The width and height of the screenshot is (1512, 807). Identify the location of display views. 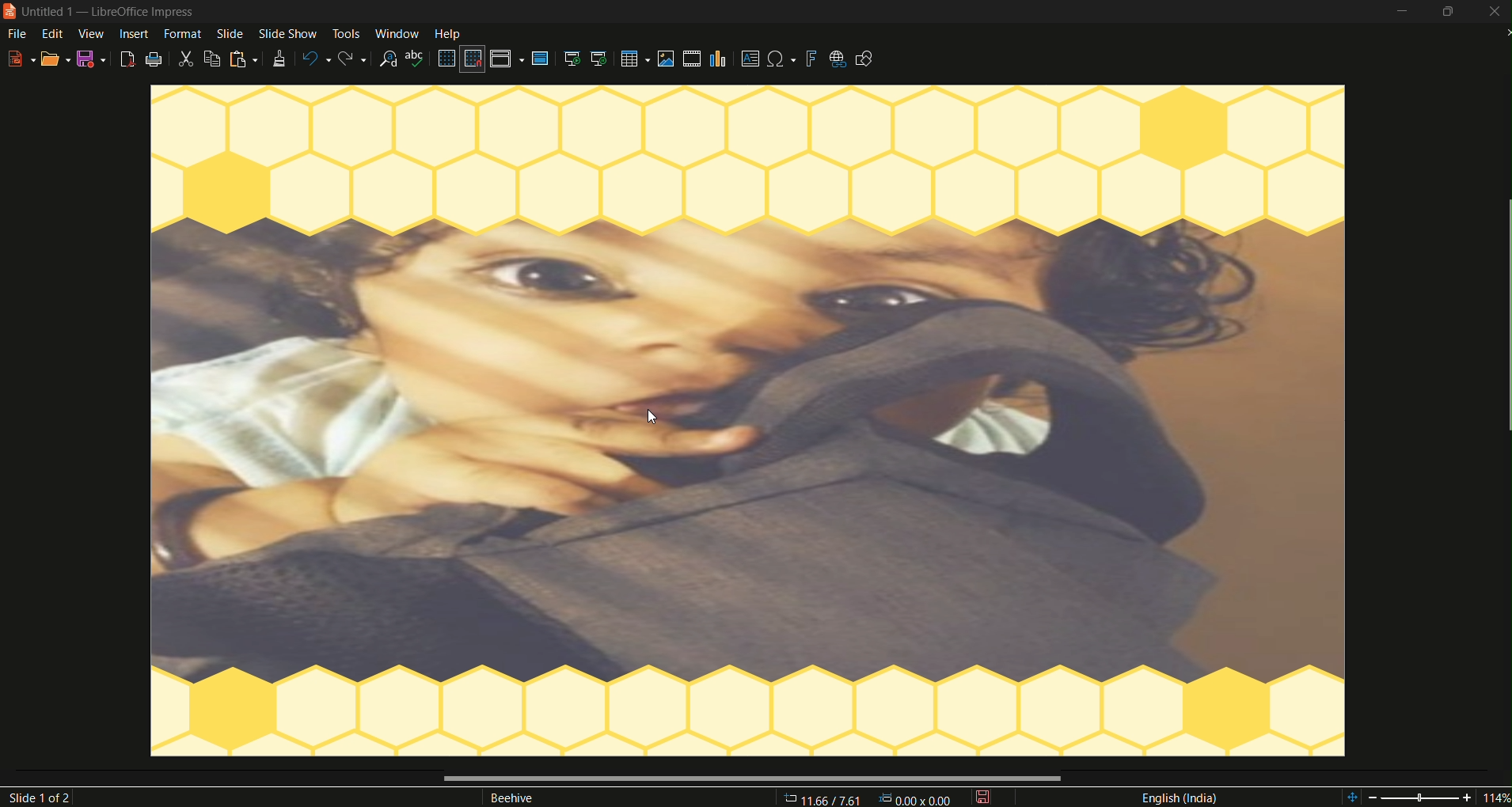
(508, 59).